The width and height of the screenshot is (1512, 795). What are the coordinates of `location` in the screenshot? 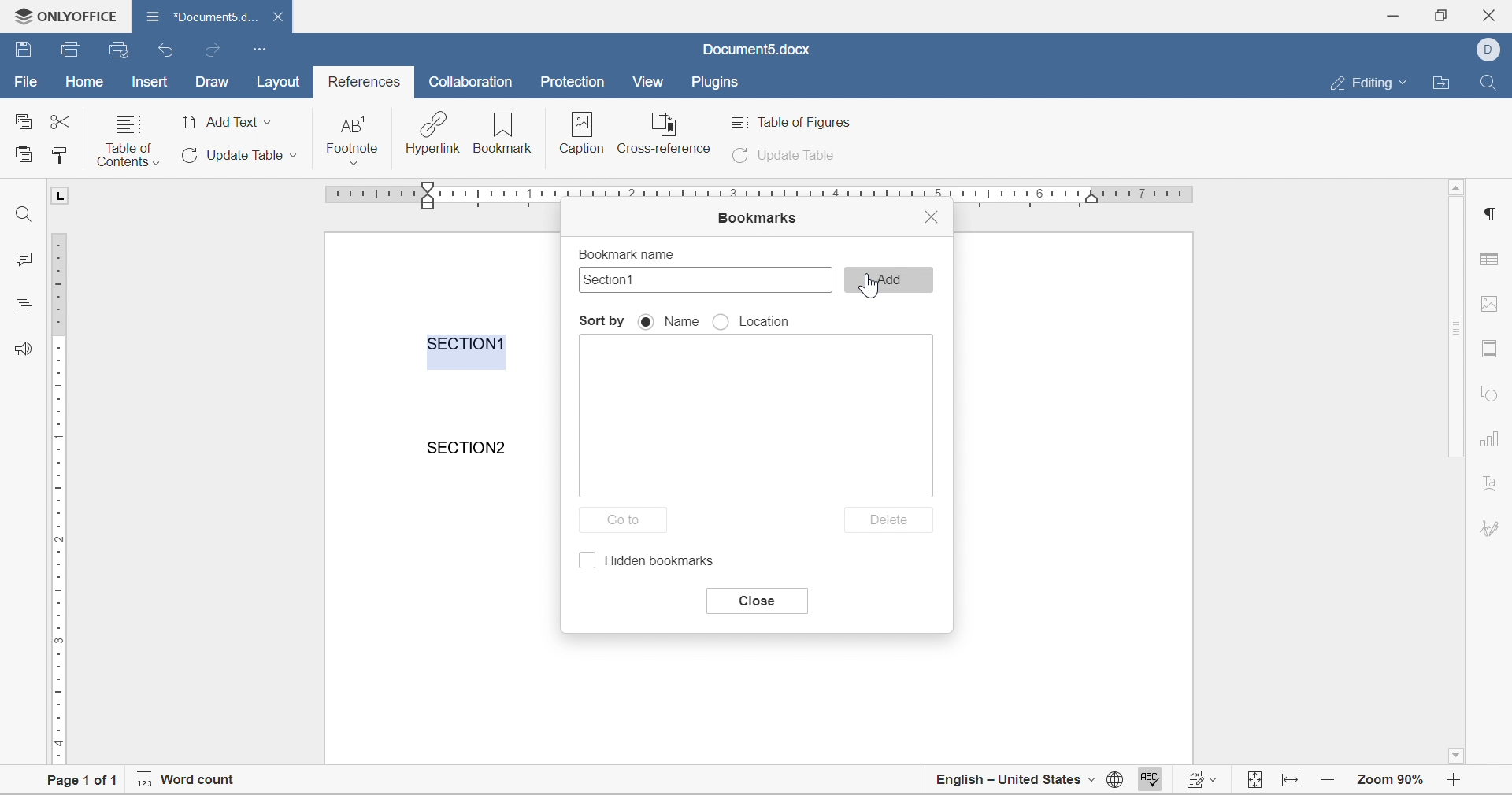 It's located at (769, 323).